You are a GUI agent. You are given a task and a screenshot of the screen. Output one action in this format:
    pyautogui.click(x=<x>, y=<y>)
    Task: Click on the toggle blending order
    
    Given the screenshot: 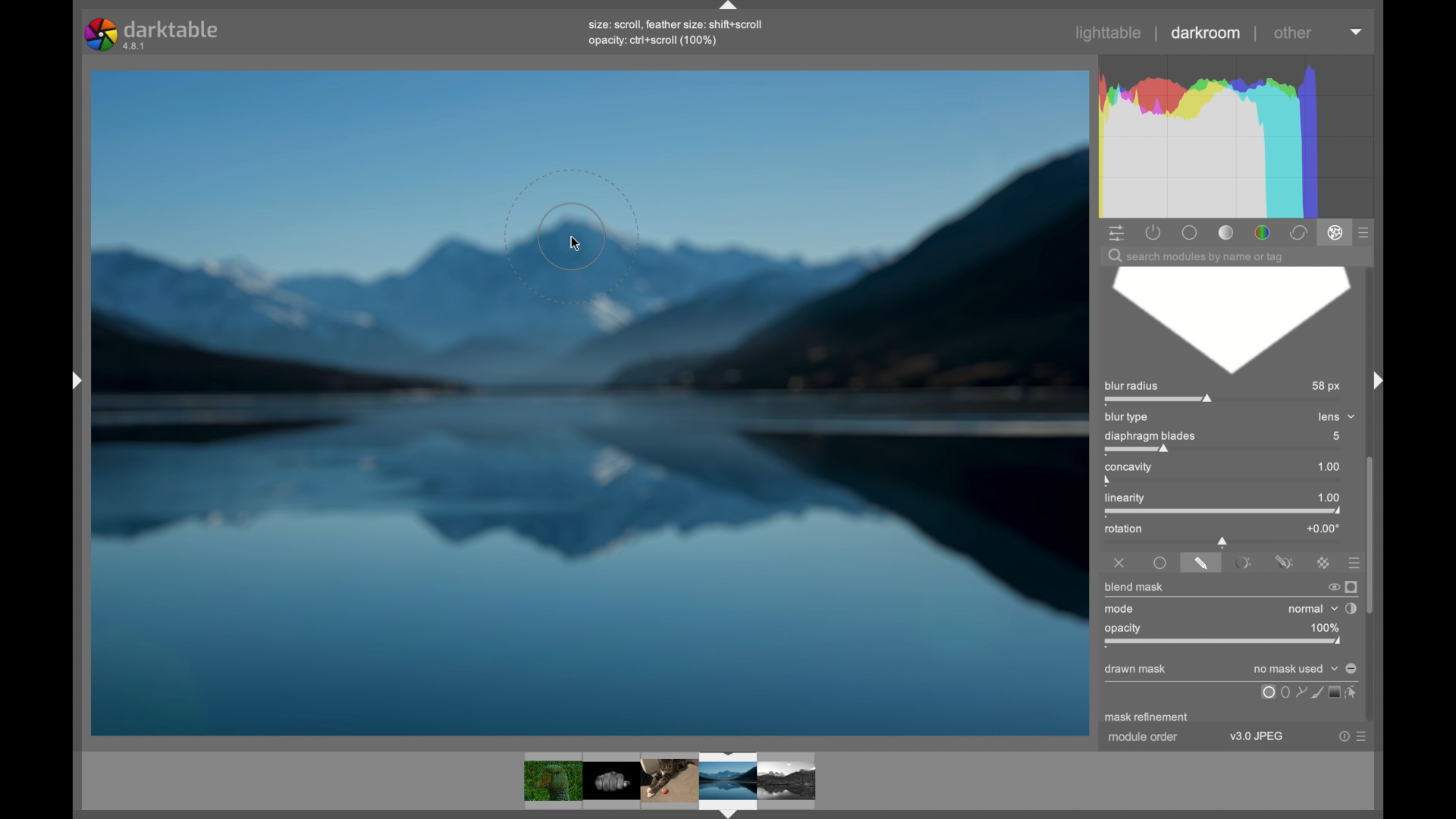 What is the action you would take?
    pyautogui.click(x=1352, y=608)
    